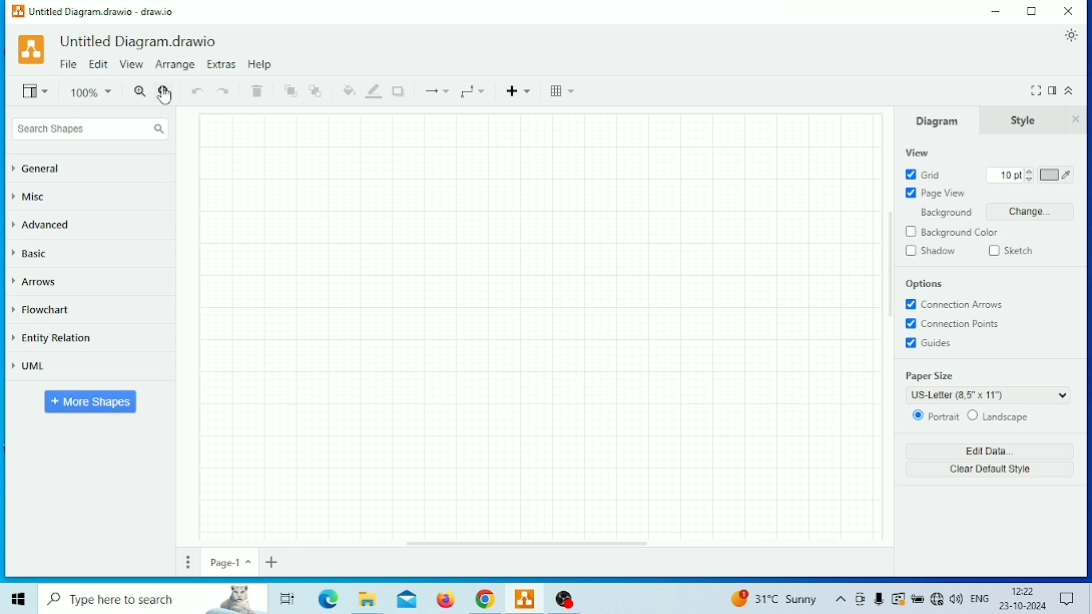  What do you see at coordinates (1072, 36) in the screenshot?
I see `Appearance` at bounding box center [1072, 36].